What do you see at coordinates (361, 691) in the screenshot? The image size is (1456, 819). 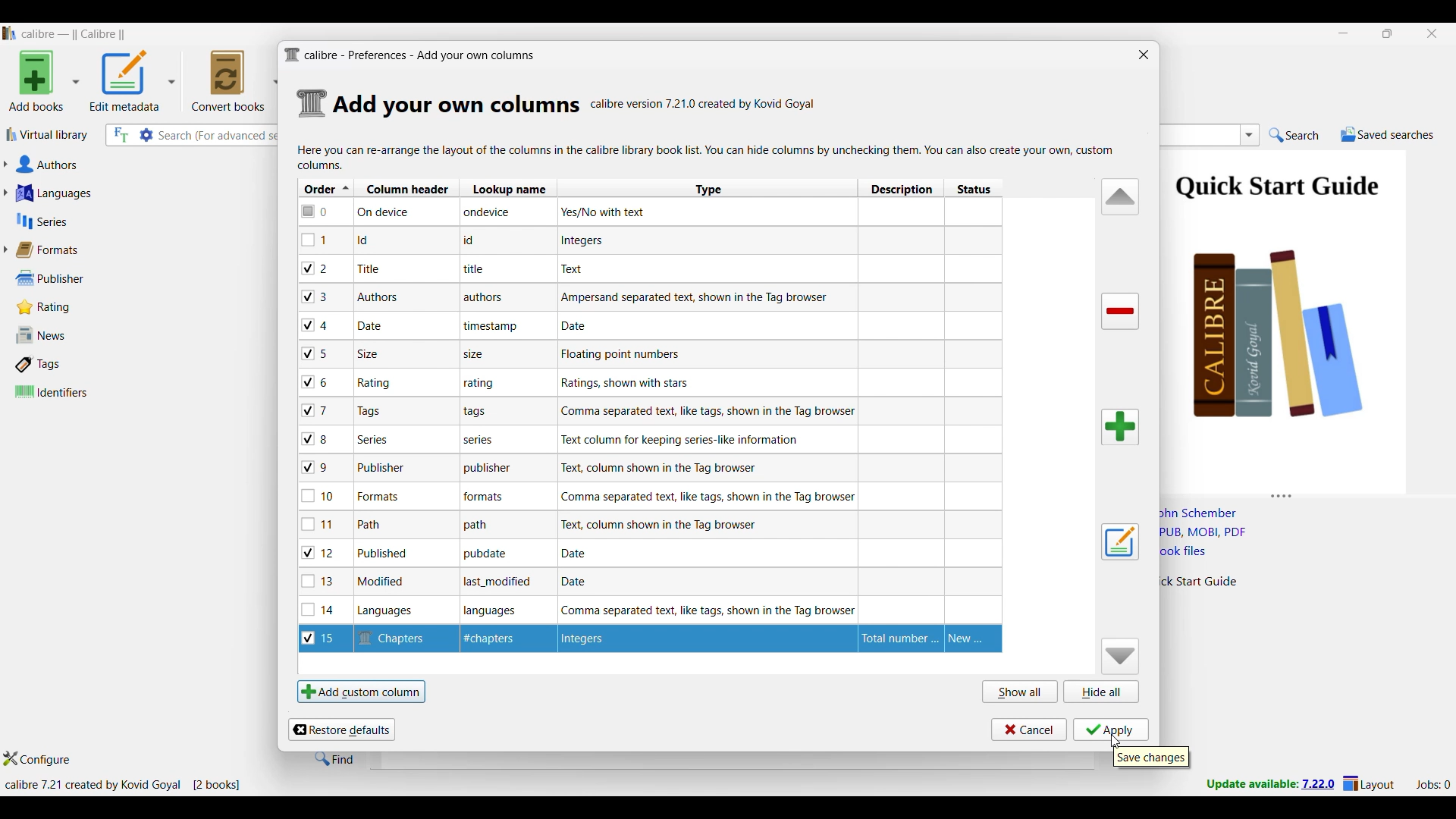 I see `Add custom column` at bounding box center [361, 691].